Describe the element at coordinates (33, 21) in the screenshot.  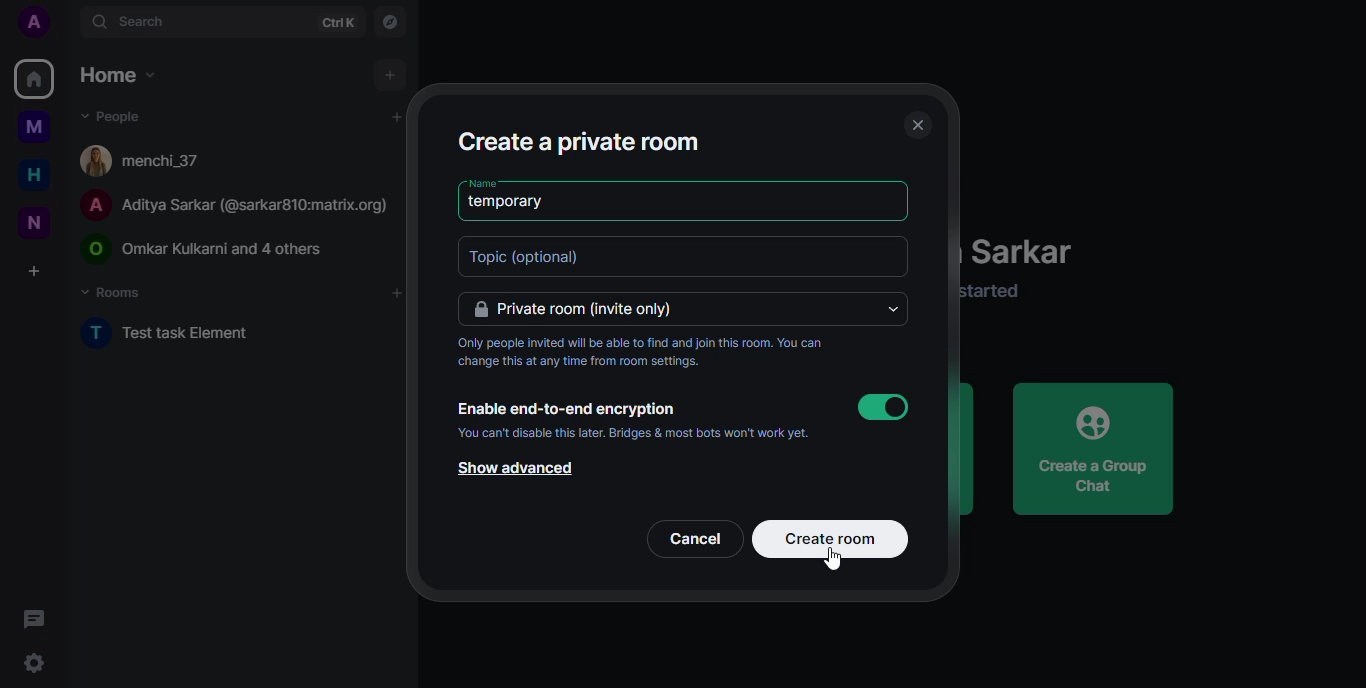
I see `profile` at that location.